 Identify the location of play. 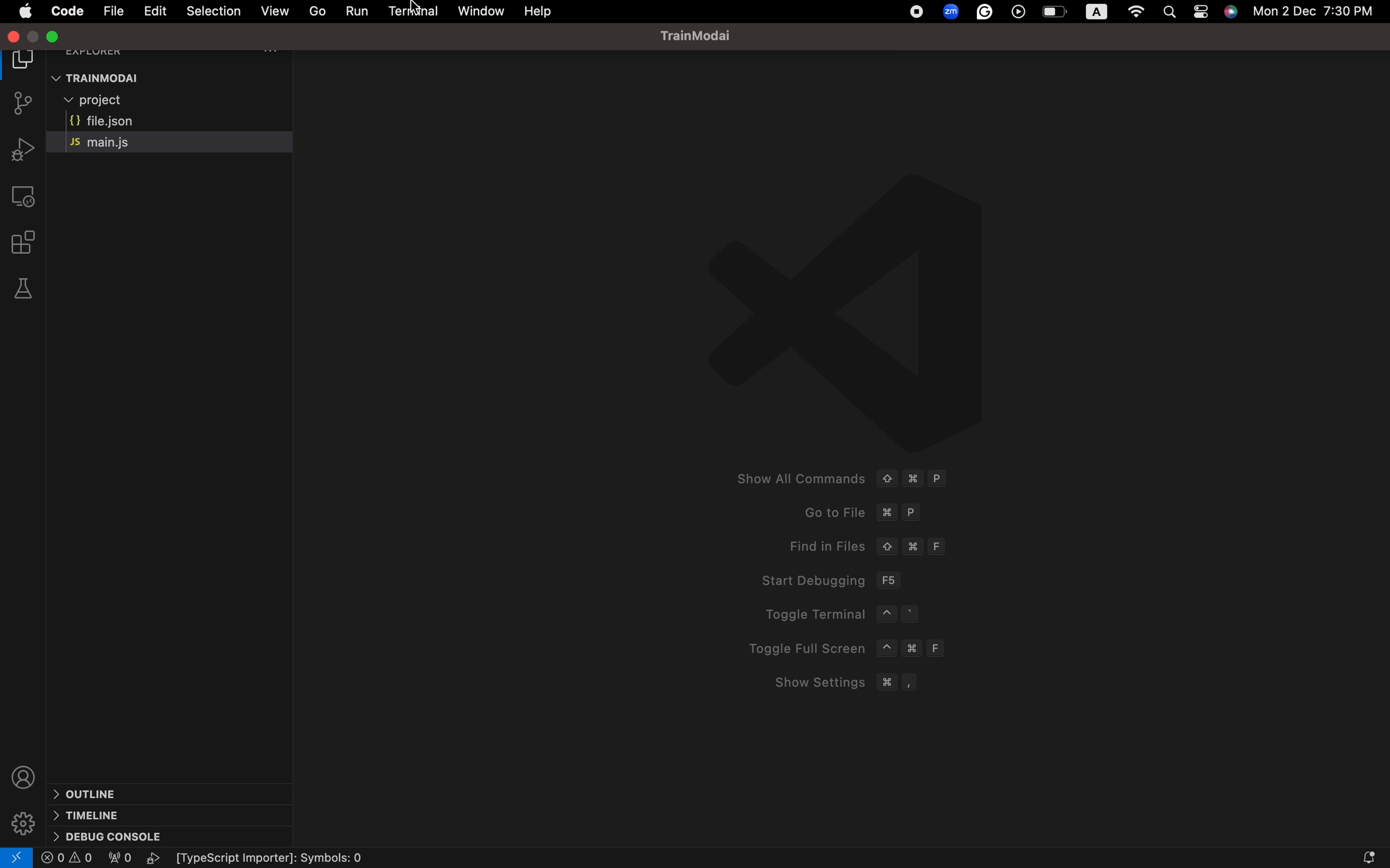
(1020, 13).